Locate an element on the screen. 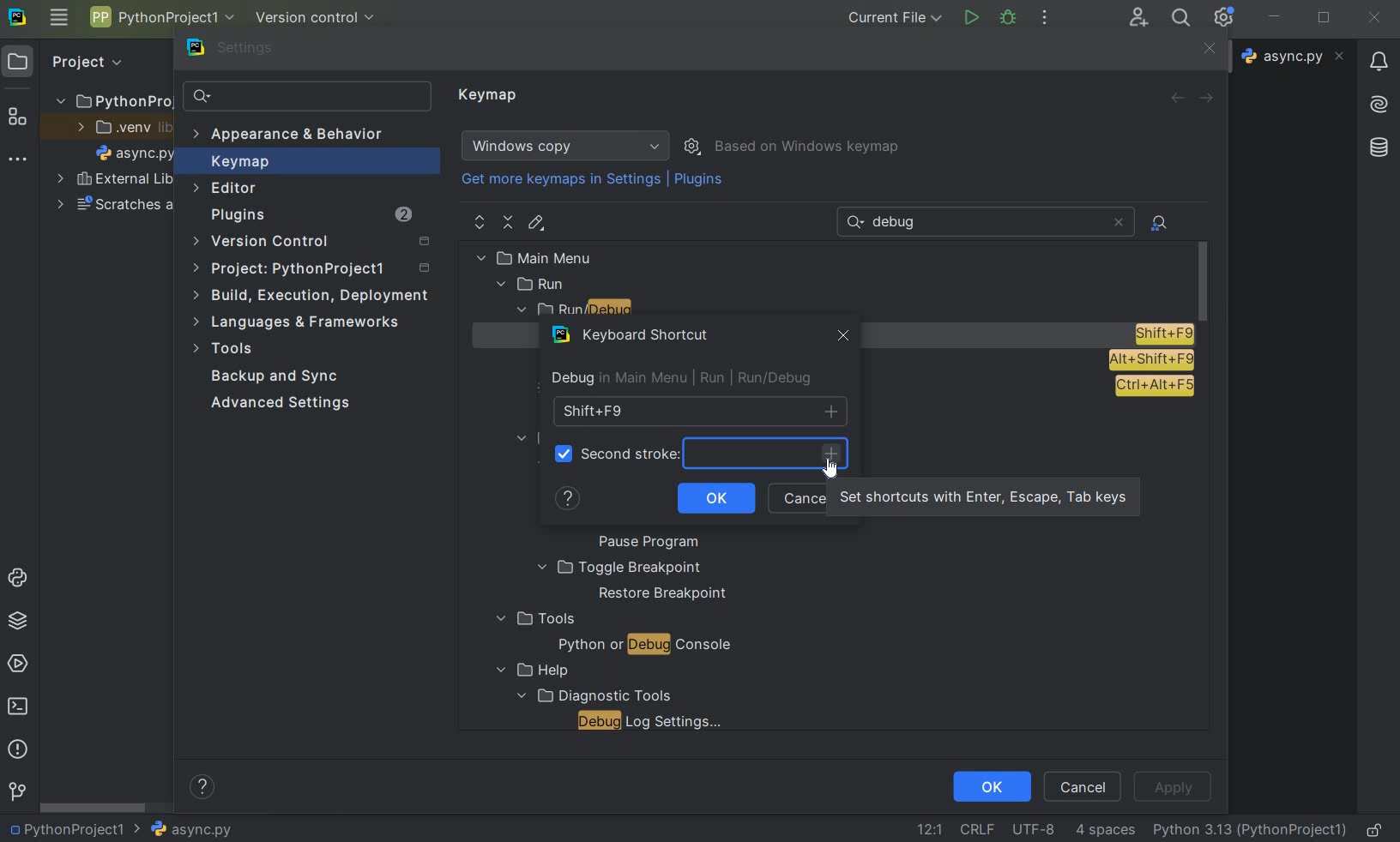 The height and width of the screenshot is (842, 1400). file encoding is located at coordinates (1035, 828).